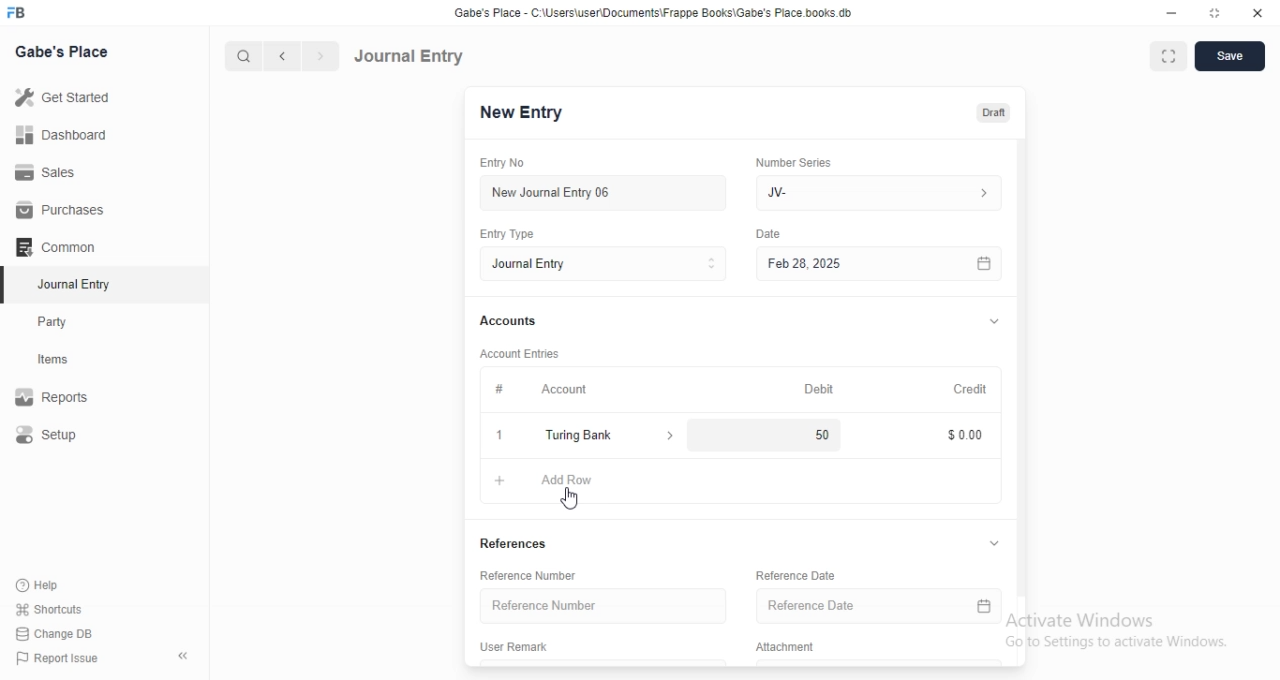 The image size is (1280, 680). Describe the element at coordinates (570, 499) in the screenshot. I see `cursor` at that location.